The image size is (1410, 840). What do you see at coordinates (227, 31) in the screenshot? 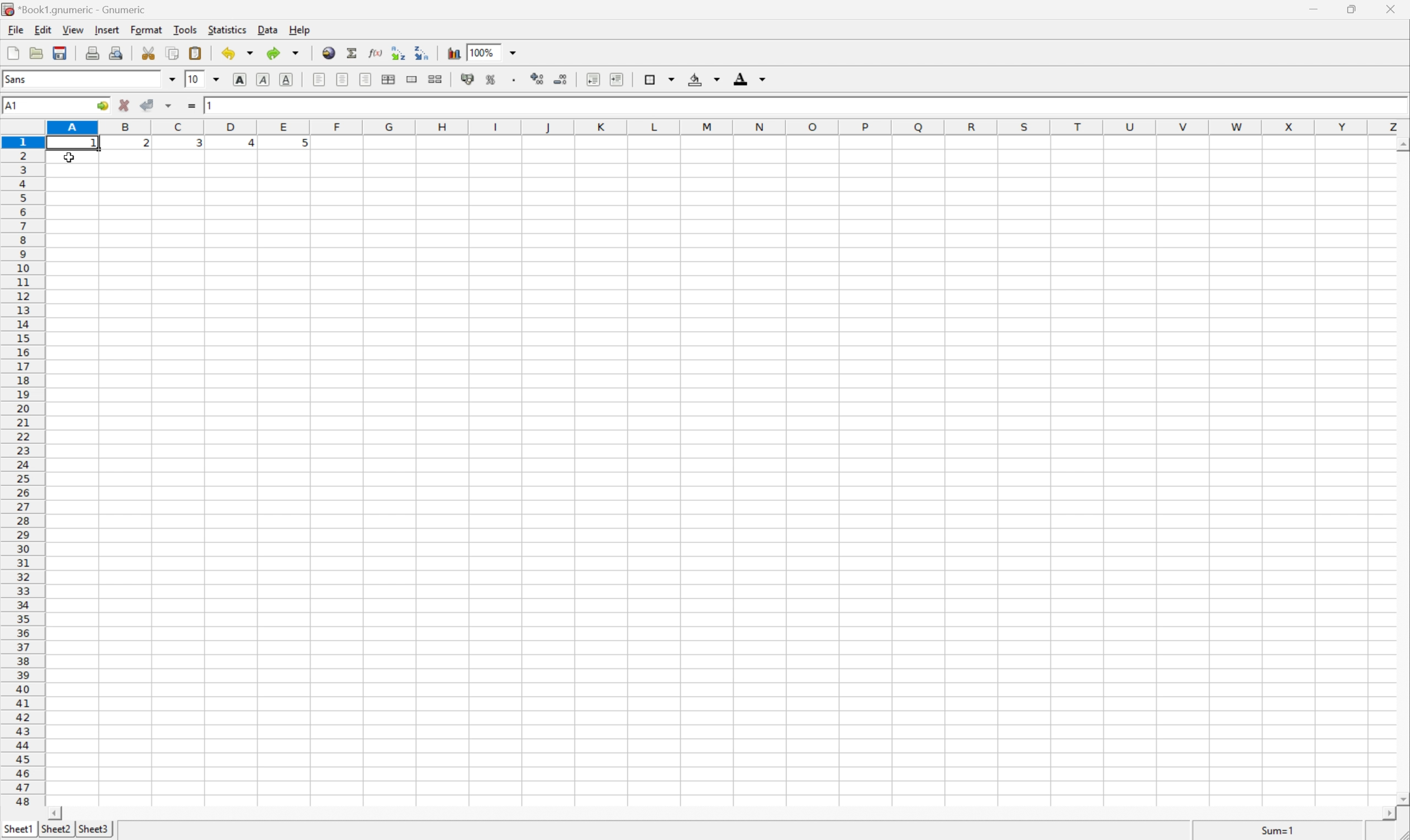
I see `statistics` at bounding box center [227, 31].